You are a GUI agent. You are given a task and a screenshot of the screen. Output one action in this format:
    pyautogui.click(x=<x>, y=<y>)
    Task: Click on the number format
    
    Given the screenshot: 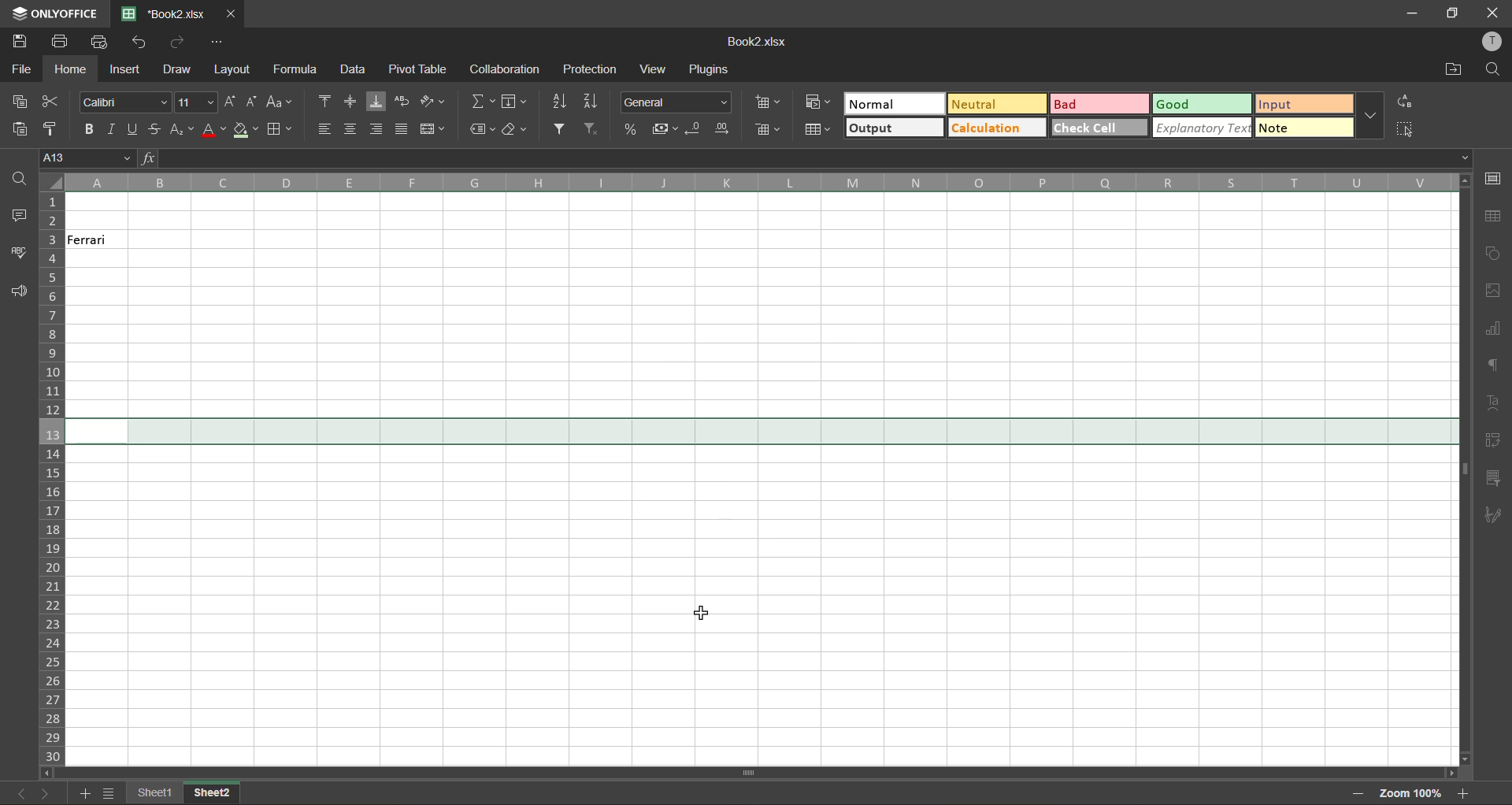 What is the action you would take?
    pyautogui.click(x=675, y=103)
    